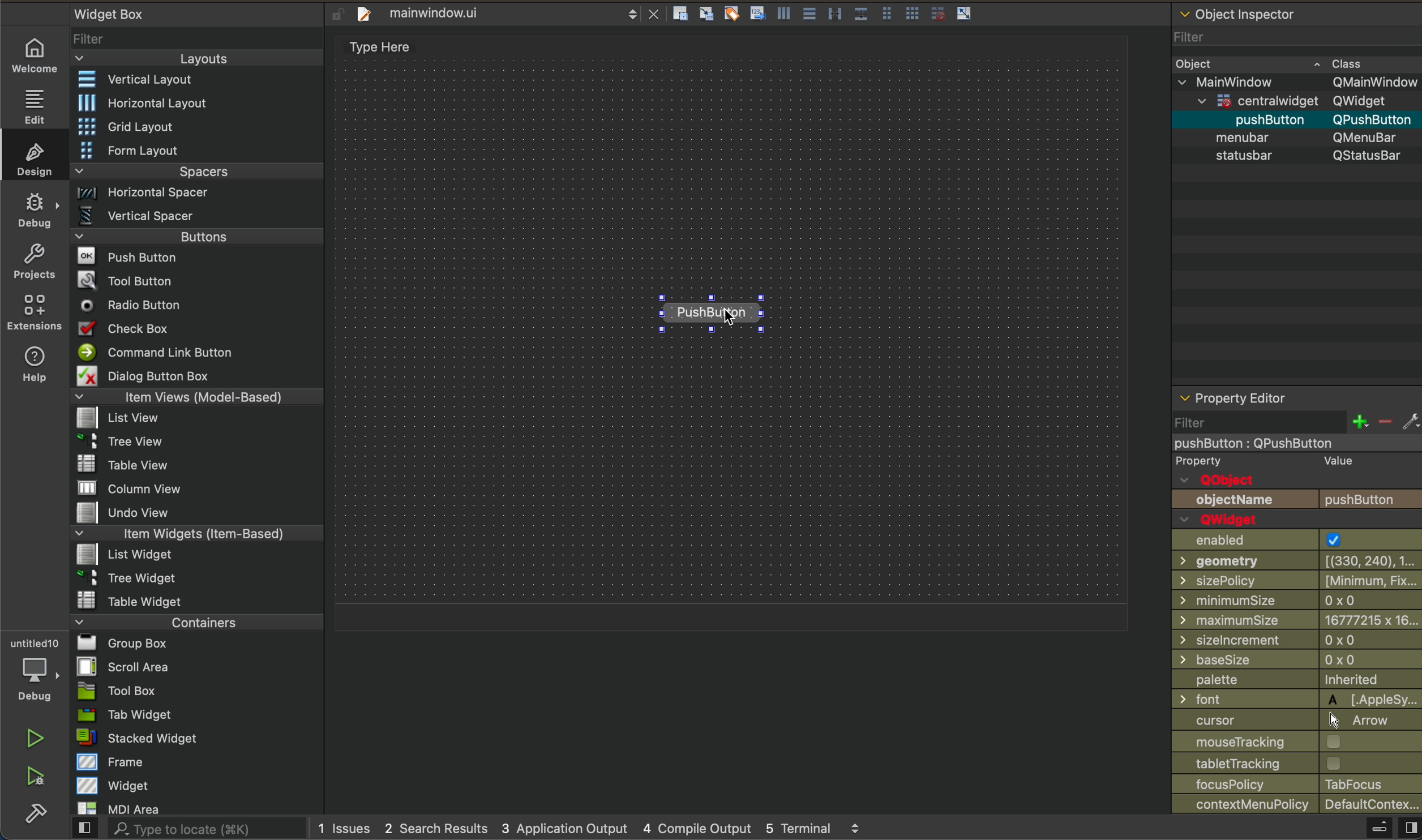 This screenshot has height=840, width=1422. Describe the element at coordinates (1296, 81) in the screenshot. I see `mainWindow` at that location.